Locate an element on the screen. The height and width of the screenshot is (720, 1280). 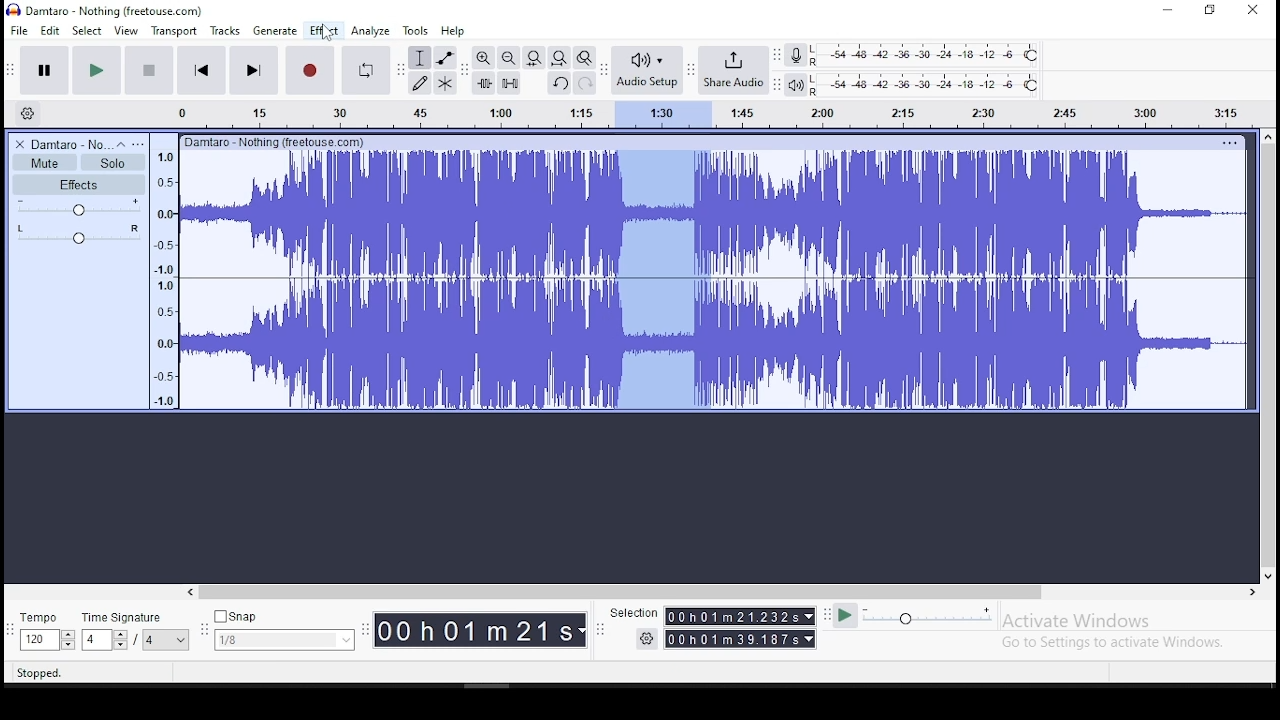
enable looping is located at coordinates (364, 71).